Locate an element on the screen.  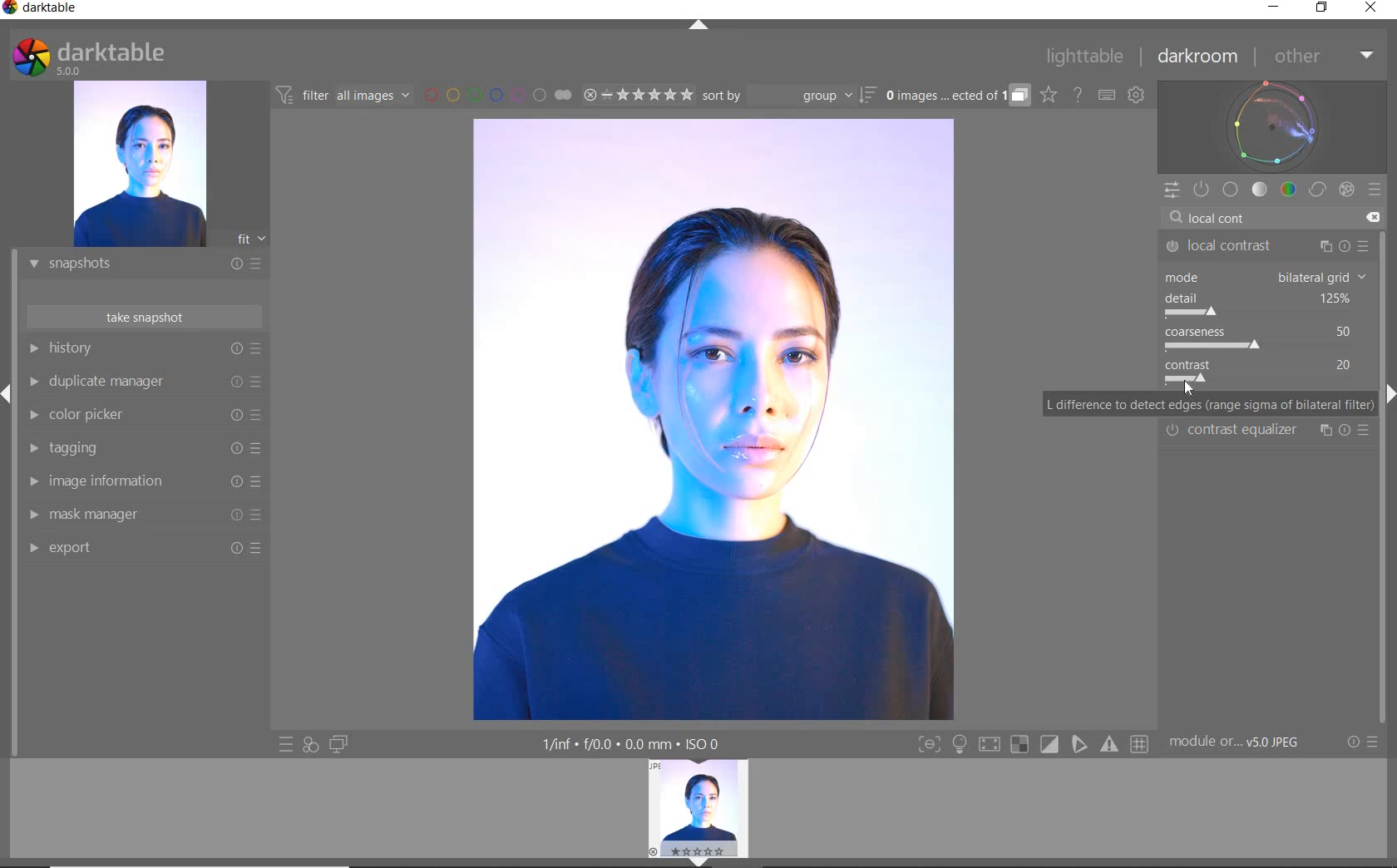
coarseness is located at coordinates (1264, 338).